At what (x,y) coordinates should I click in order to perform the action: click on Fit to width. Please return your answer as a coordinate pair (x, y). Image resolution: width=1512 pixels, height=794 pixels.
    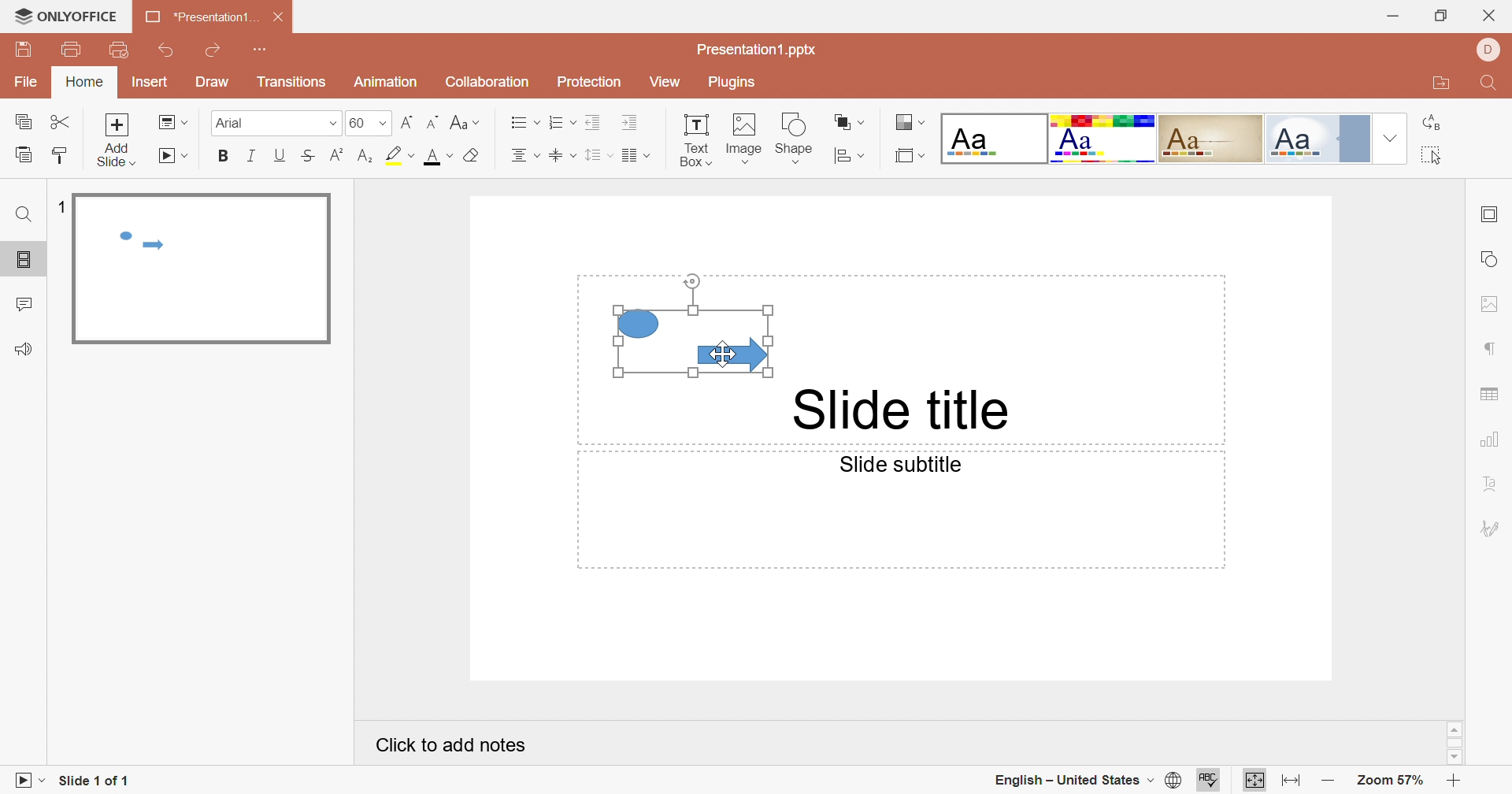
    Looking at the image, I should click on (1296, 783).